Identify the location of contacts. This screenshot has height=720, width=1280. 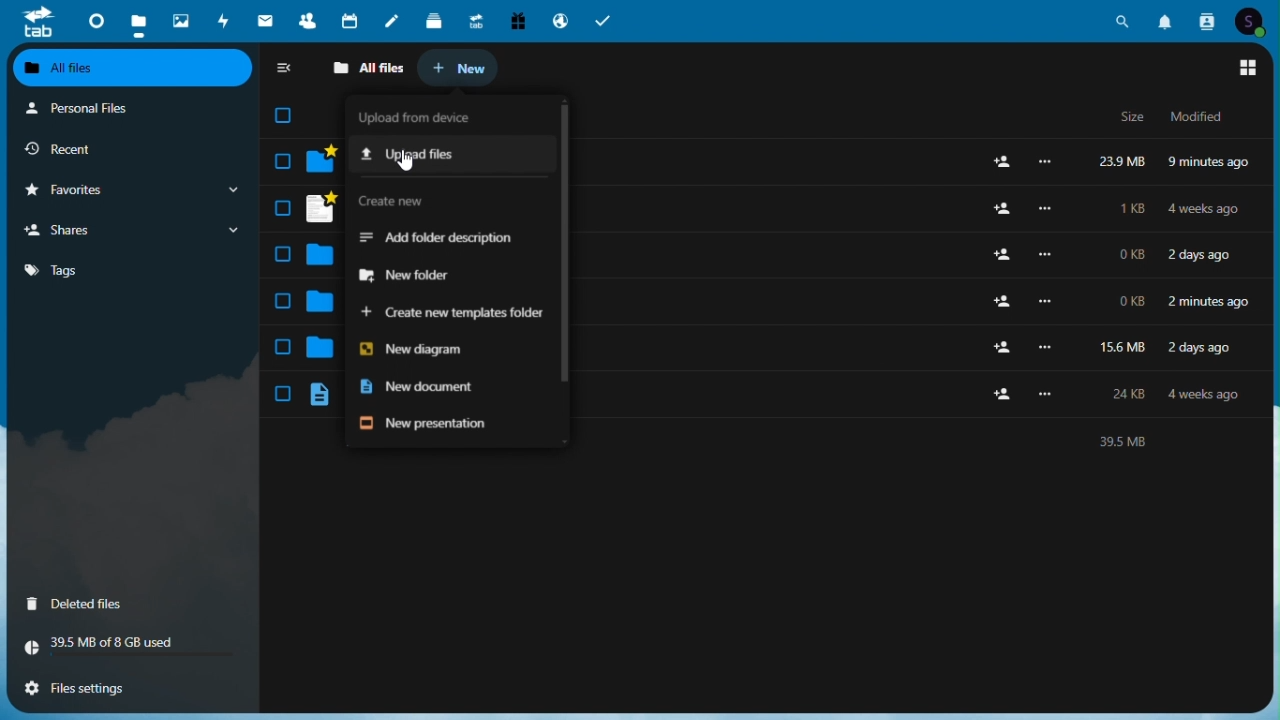
(1210, 19).